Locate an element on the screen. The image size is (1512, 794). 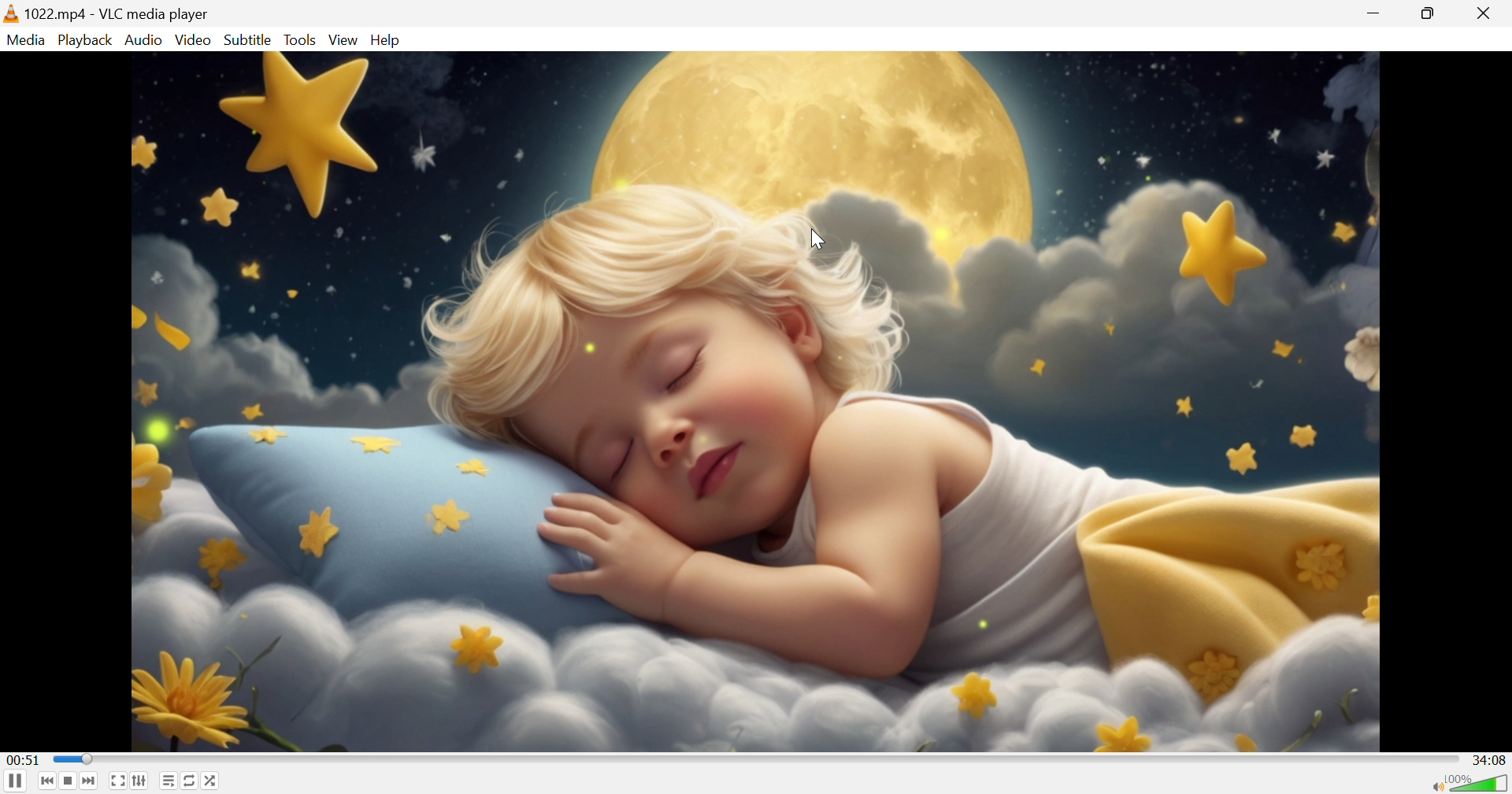
Volume is located at coordinates (1479, 783).